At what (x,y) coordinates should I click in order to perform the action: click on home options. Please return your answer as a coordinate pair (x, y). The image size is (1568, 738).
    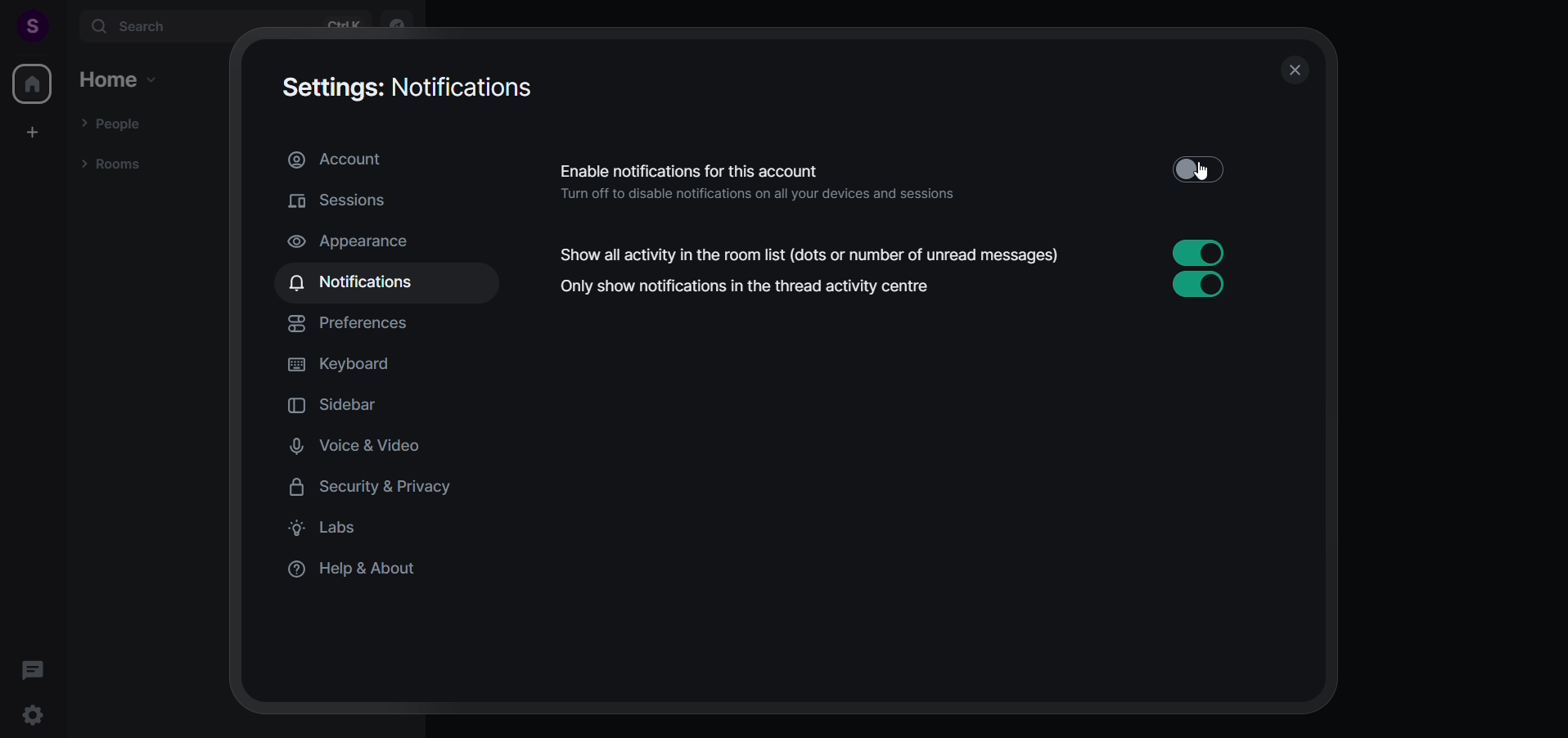
    Looking at the image, I should click on (119, 80).